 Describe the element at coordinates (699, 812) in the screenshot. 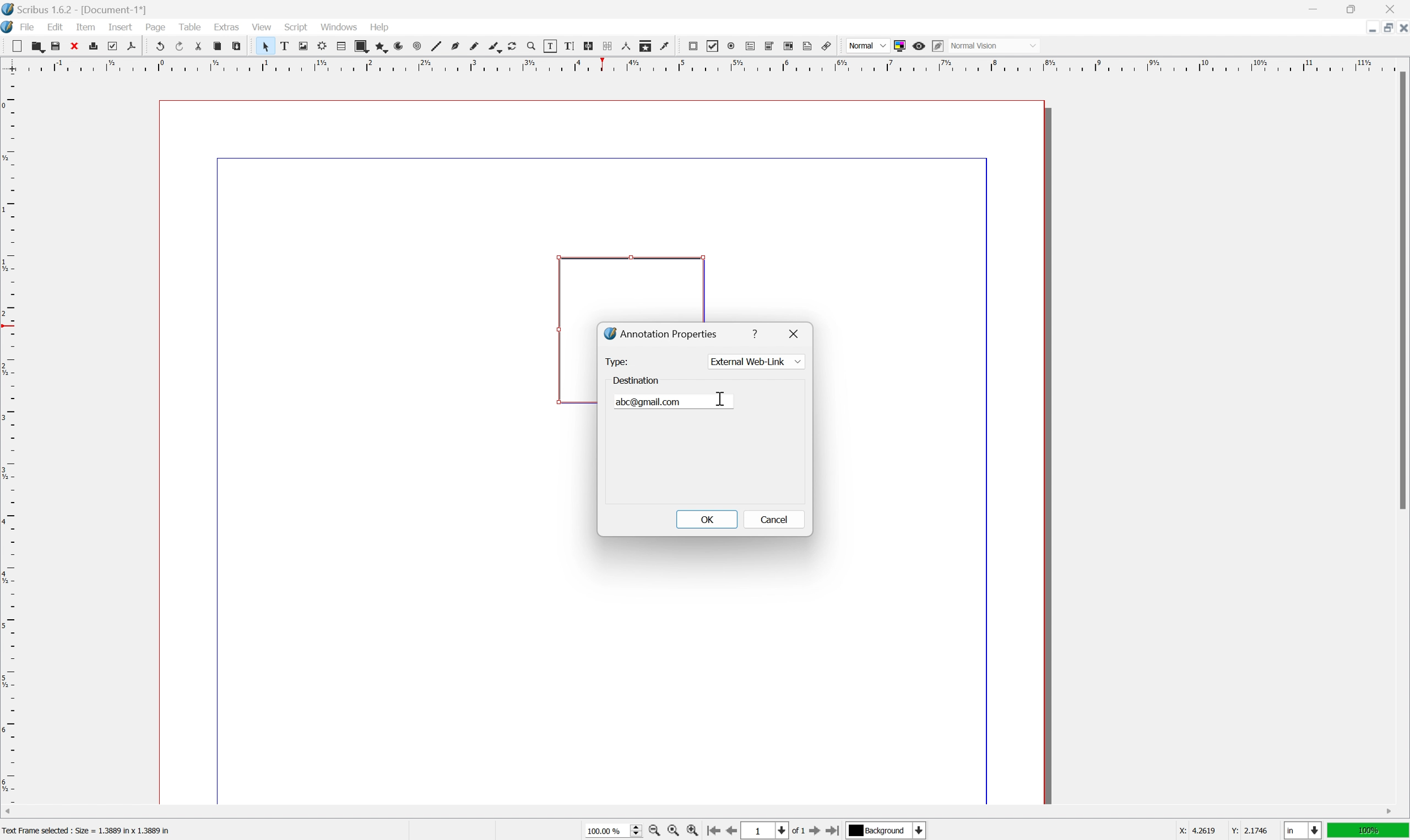

I see `scroll bar` at that location.